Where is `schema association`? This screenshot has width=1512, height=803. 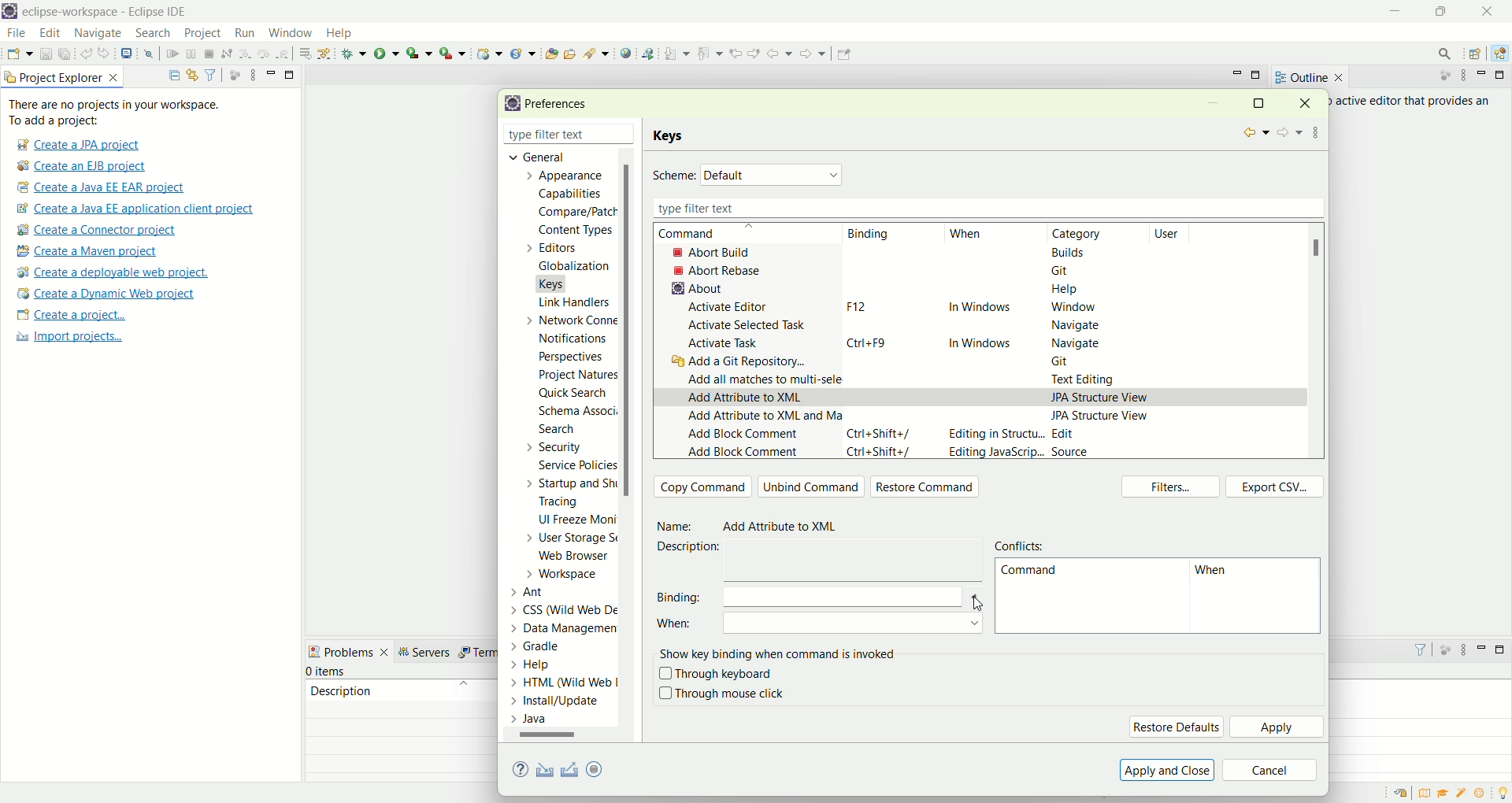 schema association is located at coordinates (580, 413).